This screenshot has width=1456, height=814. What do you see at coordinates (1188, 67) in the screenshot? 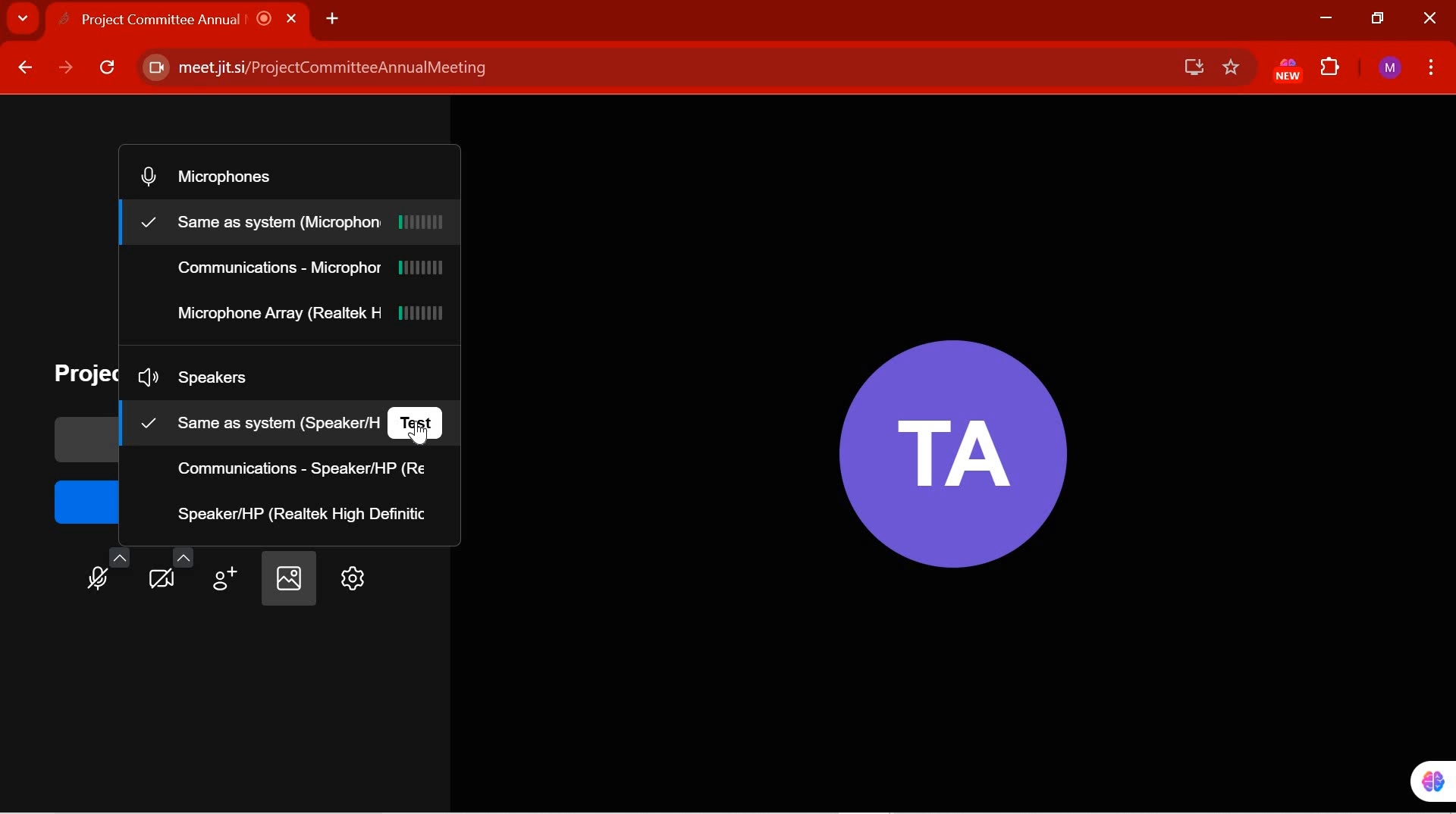
I see `save offline` at bounding box center [1188, 67].